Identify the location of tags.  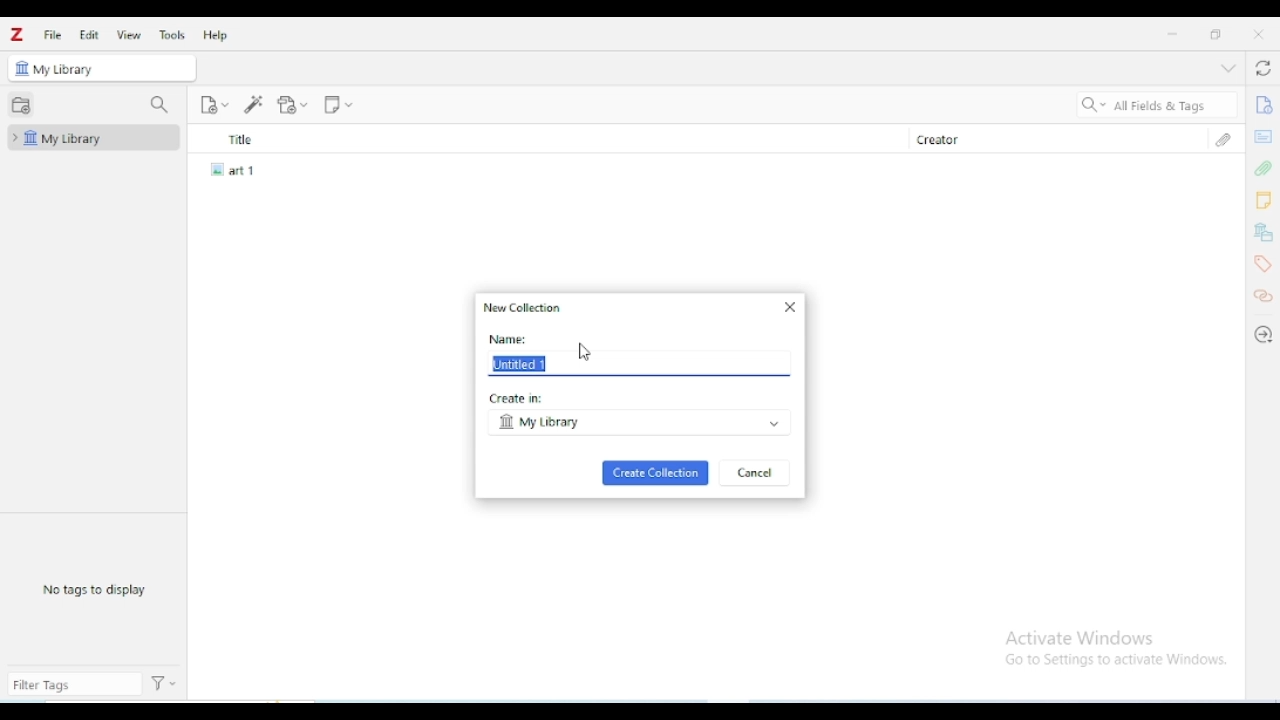
(1263, 264).